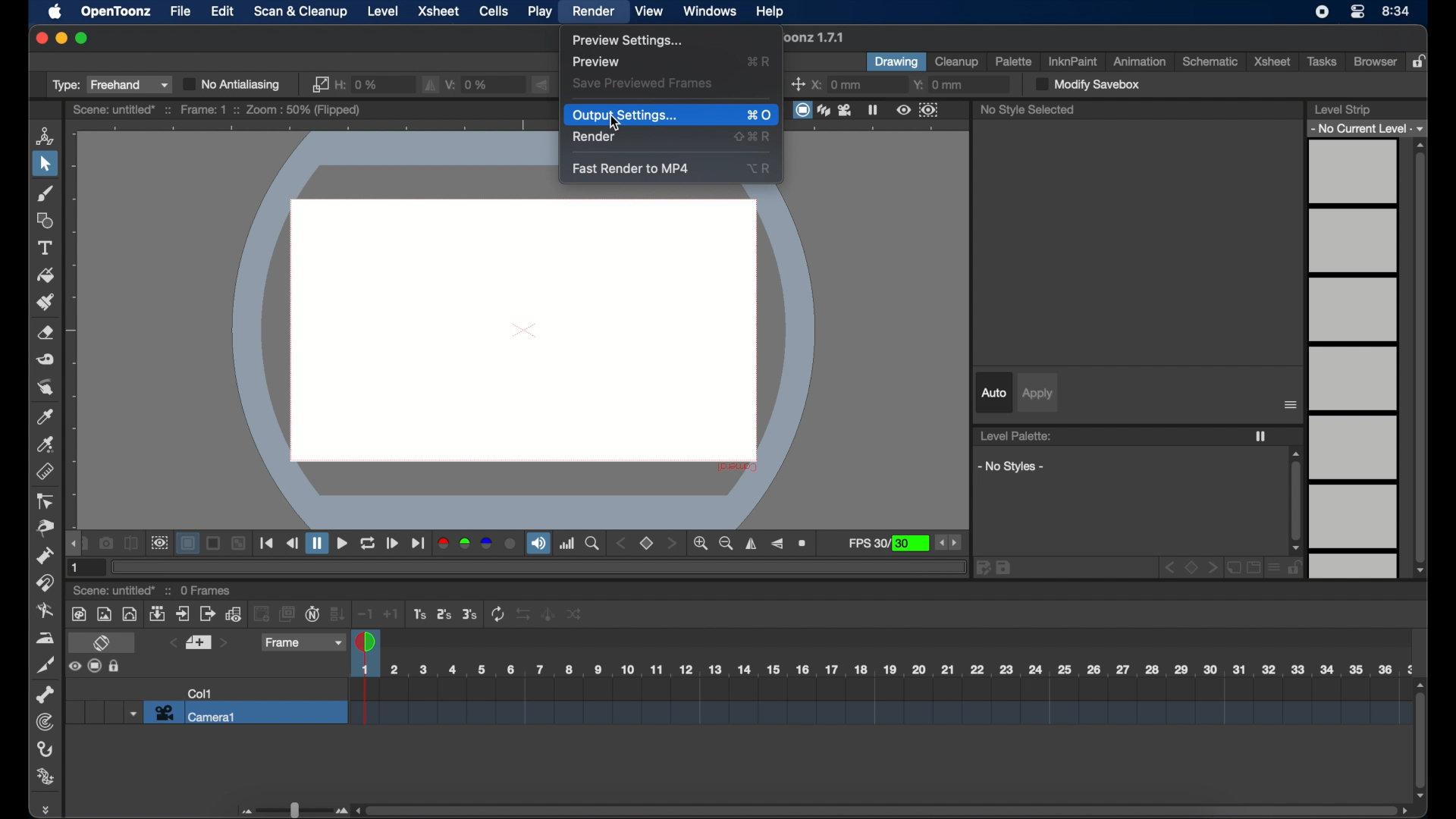 The height and width of the screenshot is (819, 1456). I want to click on shortcut, so click(752, 136).